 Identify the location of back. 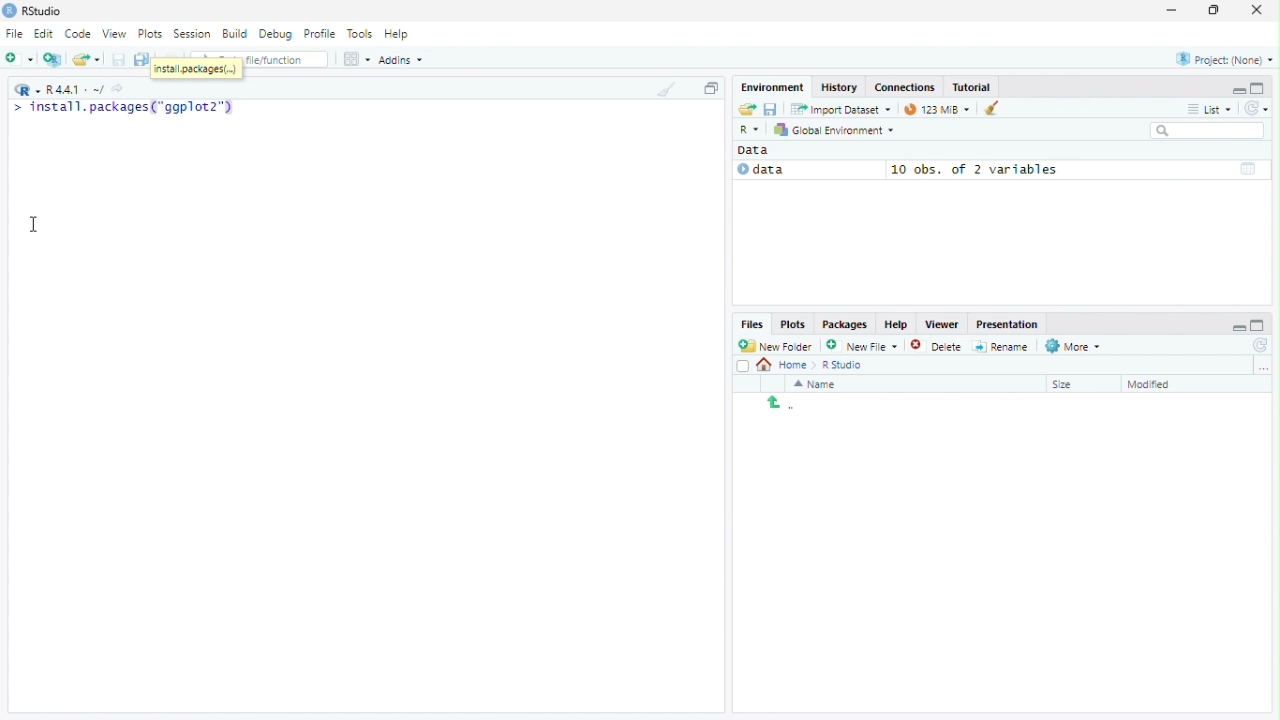
(775, 402).